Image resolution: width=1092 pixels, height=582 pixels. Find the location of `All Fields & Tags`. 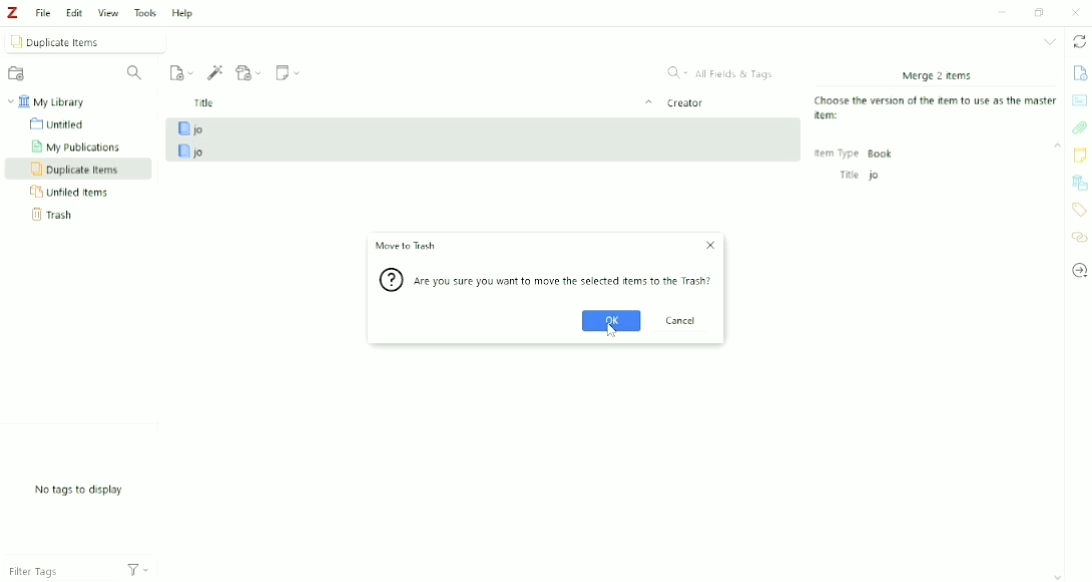

All Fields & Tags is located at coordinates (721, 72).